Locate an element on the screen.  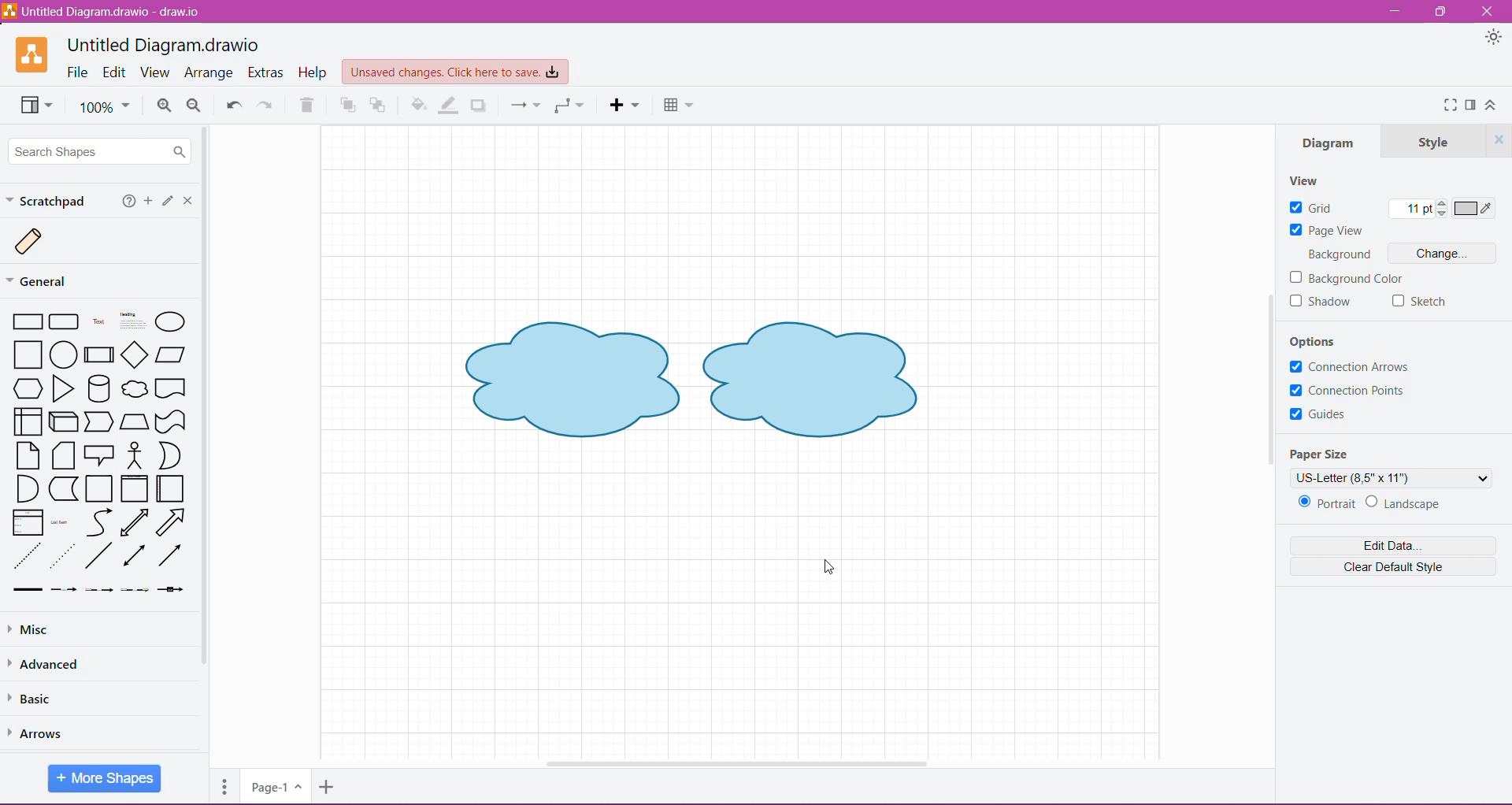
Shadow is located at coordinates (1330, 307).